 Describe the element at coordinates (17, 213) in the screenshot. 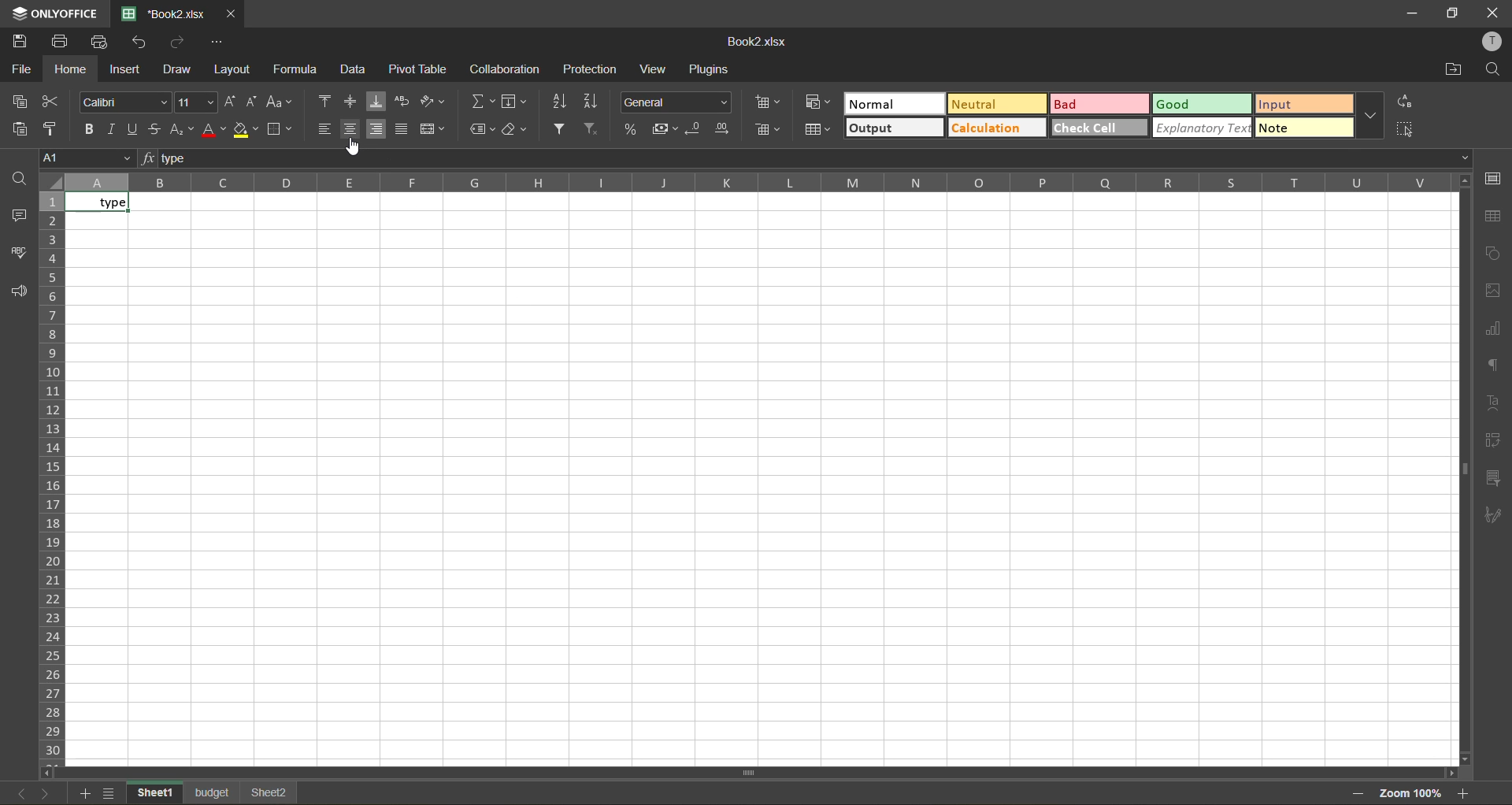

I see `comments` at that location.